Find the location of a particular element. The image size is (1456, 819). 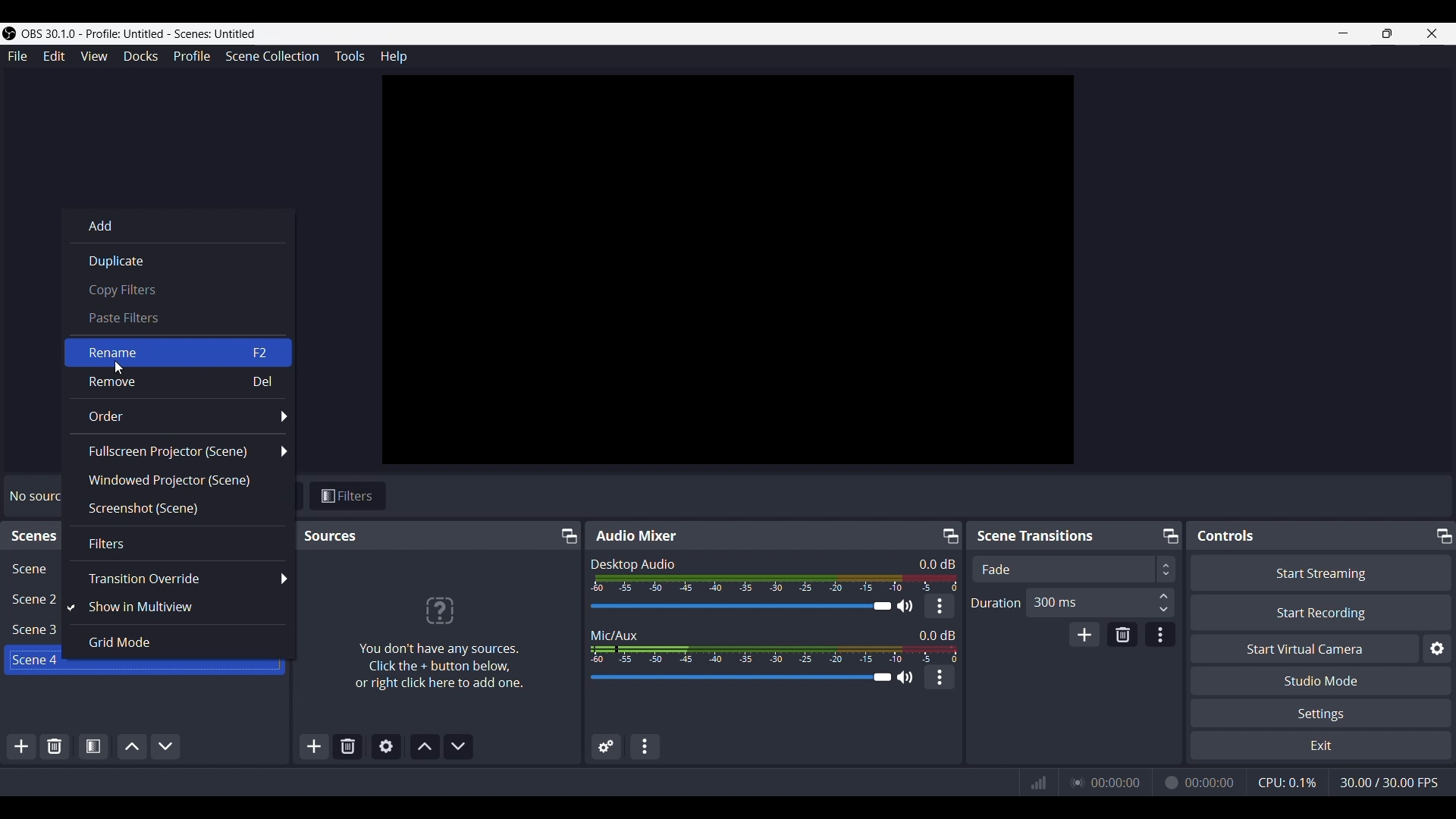

configure virtual camera is located at coordinates (1436, 649).